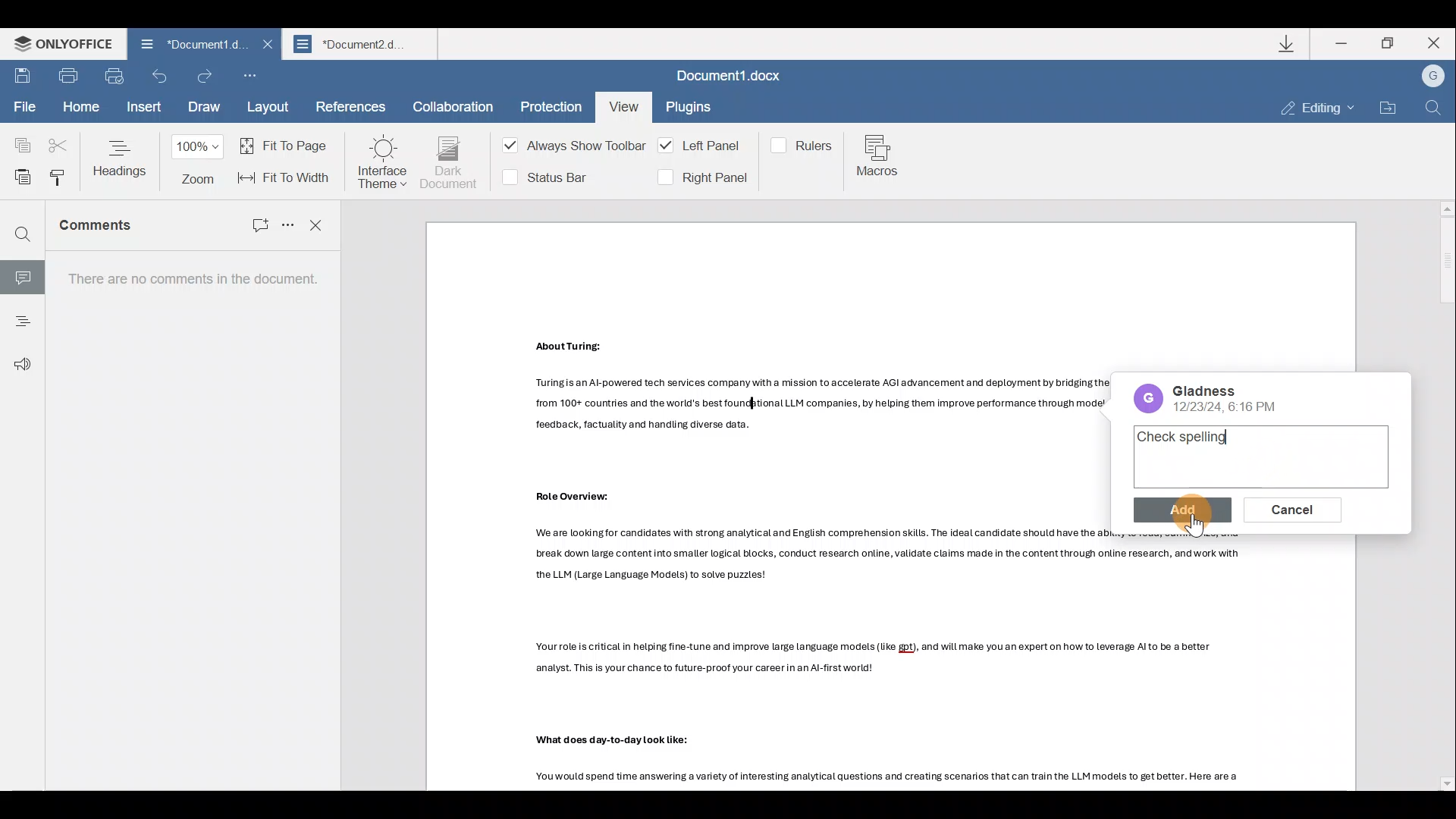 The height and width of the screenshot is (819, 1456). What do you see at coordinates (23, 236) in the screenshot?
I see `Find` at bounding box center [23, 236].